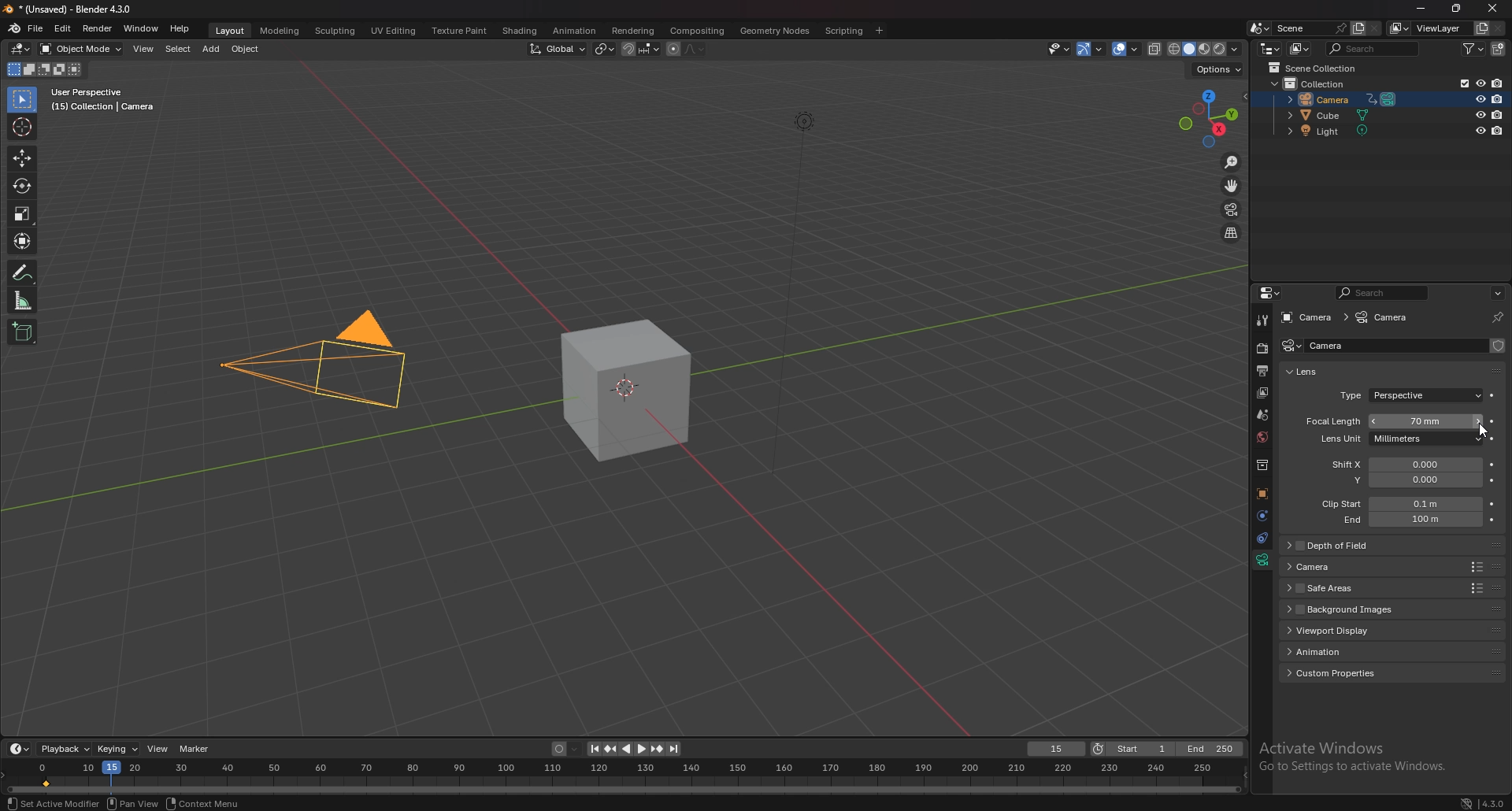  Describe the element at coordinates (176, 49) in the screenshot. I see `select` at that location.